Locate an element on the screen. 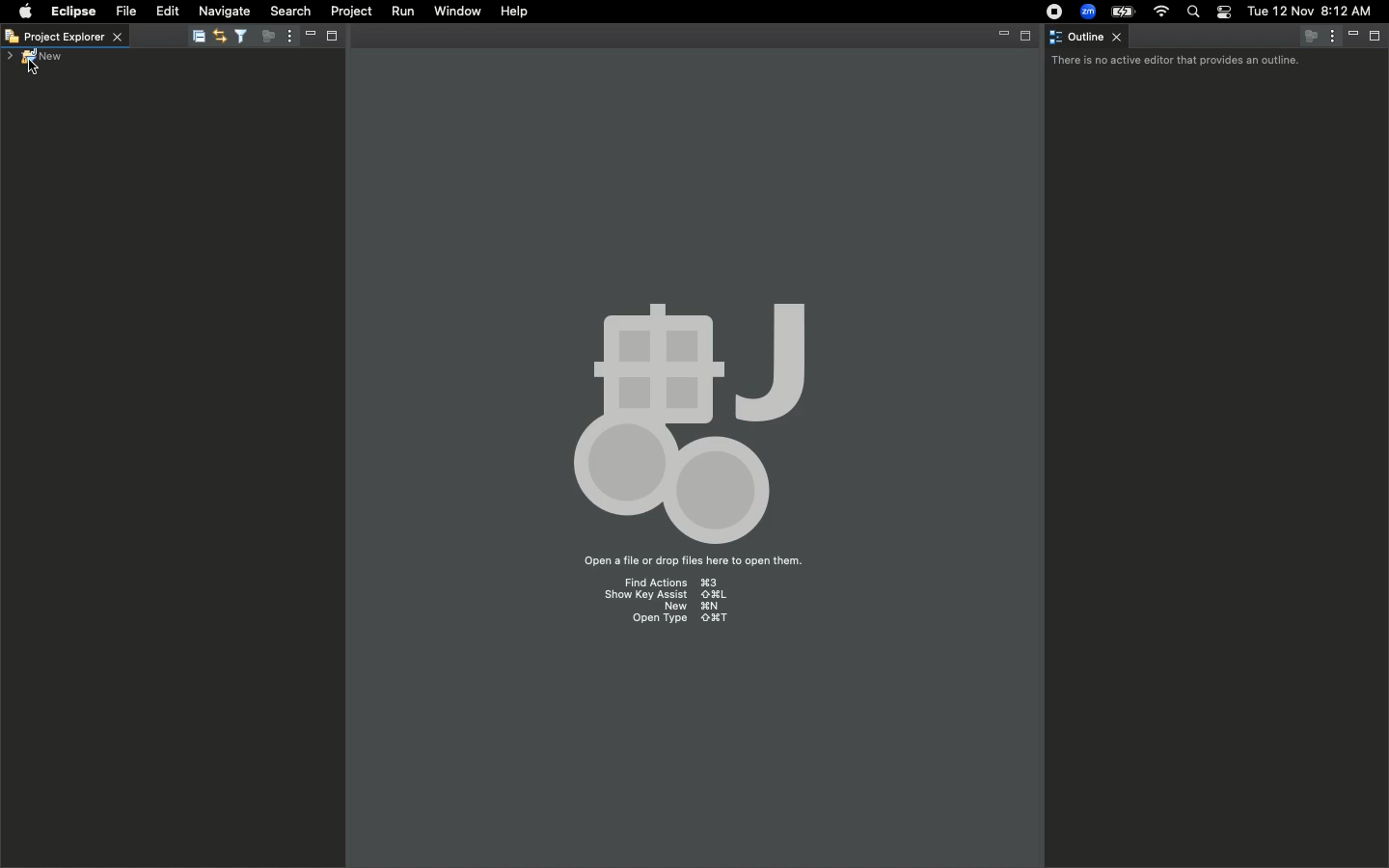 This screenshot has width=1389, height=868. Project is located at coordinates (347, 12).